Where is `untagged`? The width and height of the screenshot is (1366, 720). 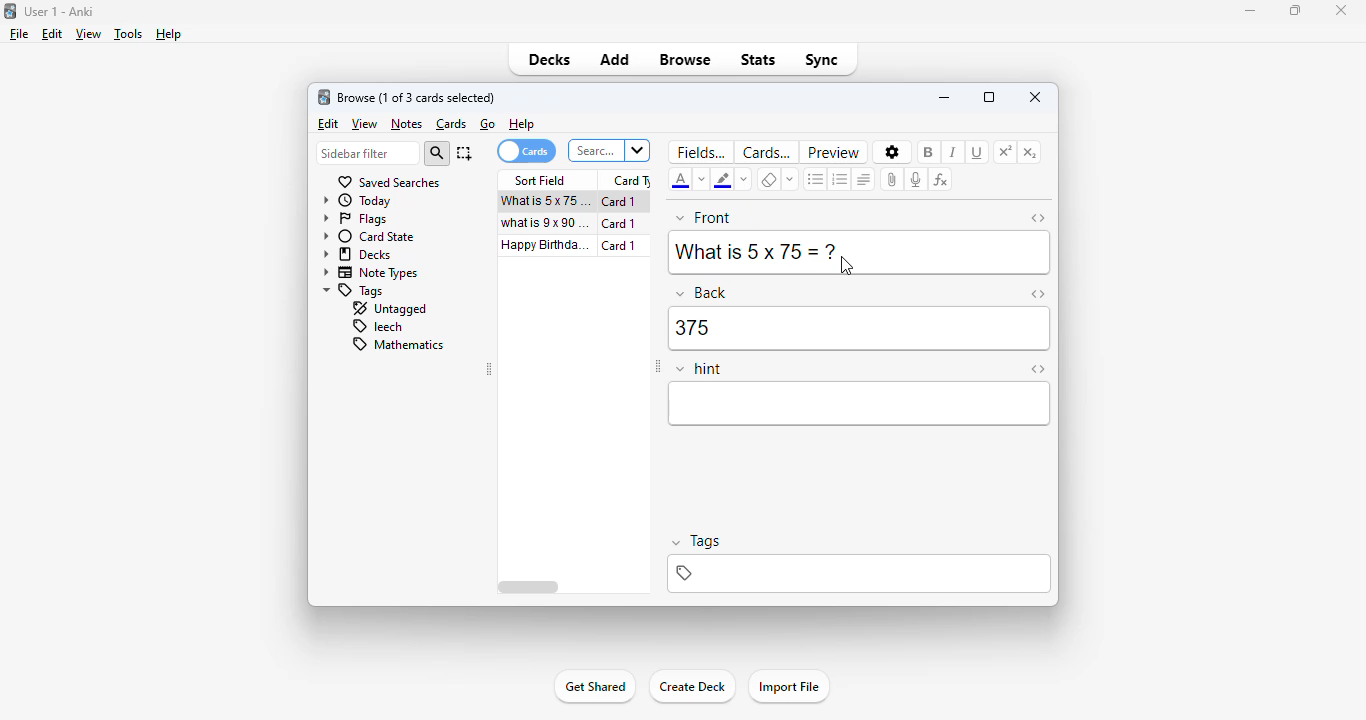
untagged is located at coordinates (391, 309).